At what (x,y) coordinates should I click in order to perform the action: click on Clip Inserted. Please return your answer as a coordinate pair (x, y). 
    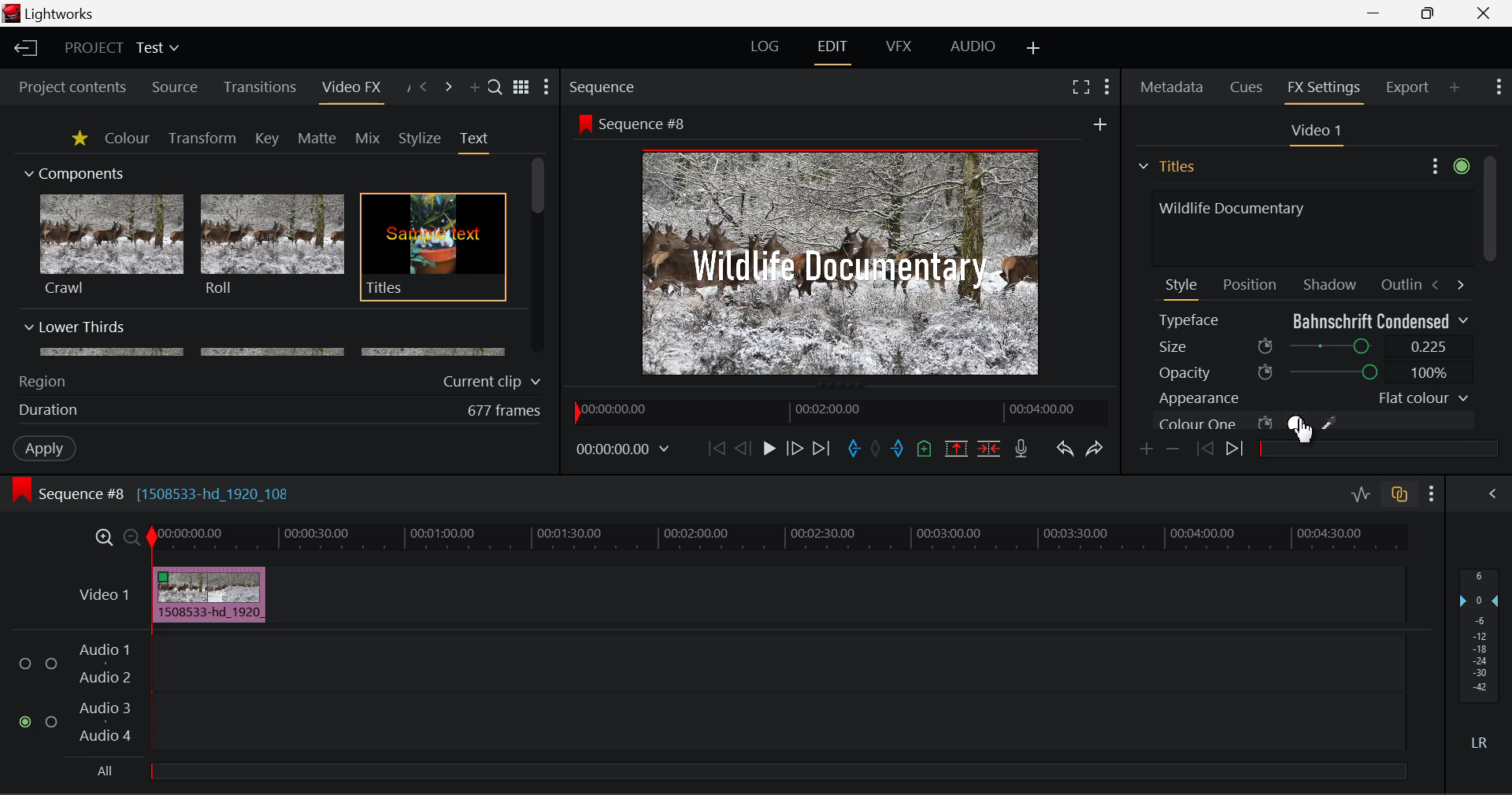
    Looking at the image, I should click on (205, 595).